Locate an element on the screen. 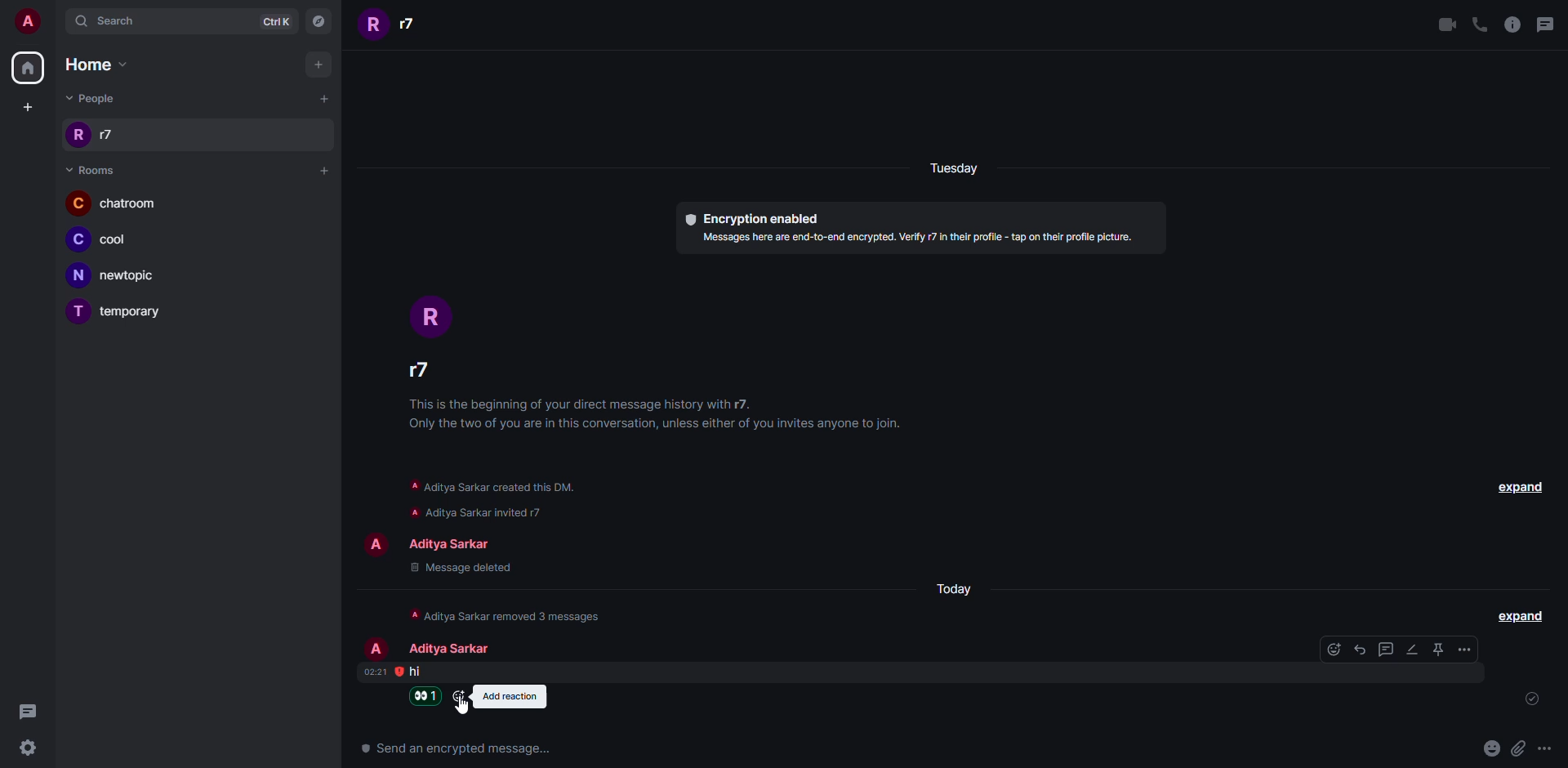 This screenshot has width=1568, height=768. info is located at coordinates (512, 614).